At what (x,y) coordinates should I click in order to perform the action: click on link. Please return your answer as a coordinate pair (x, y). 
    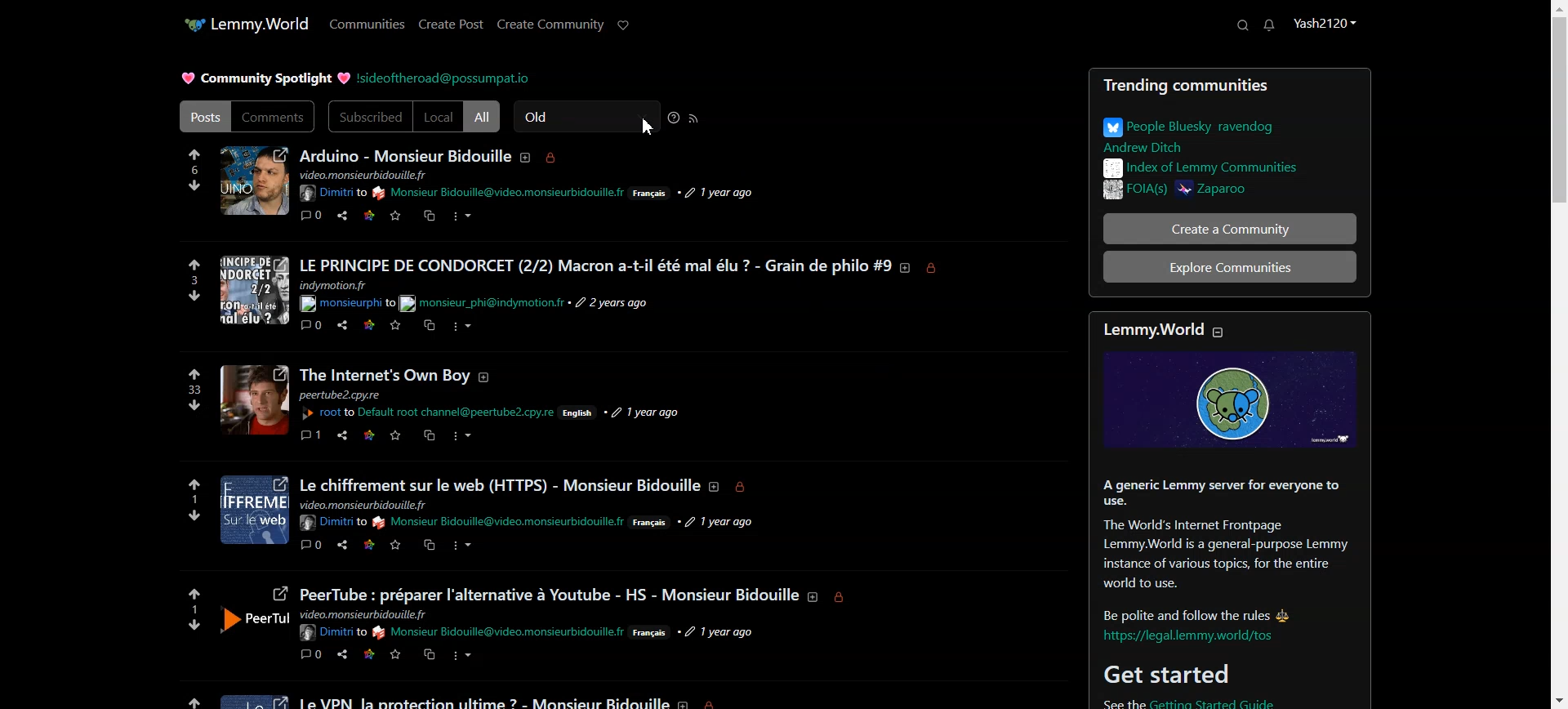
    Looking at the image, I should click on (368, 544).